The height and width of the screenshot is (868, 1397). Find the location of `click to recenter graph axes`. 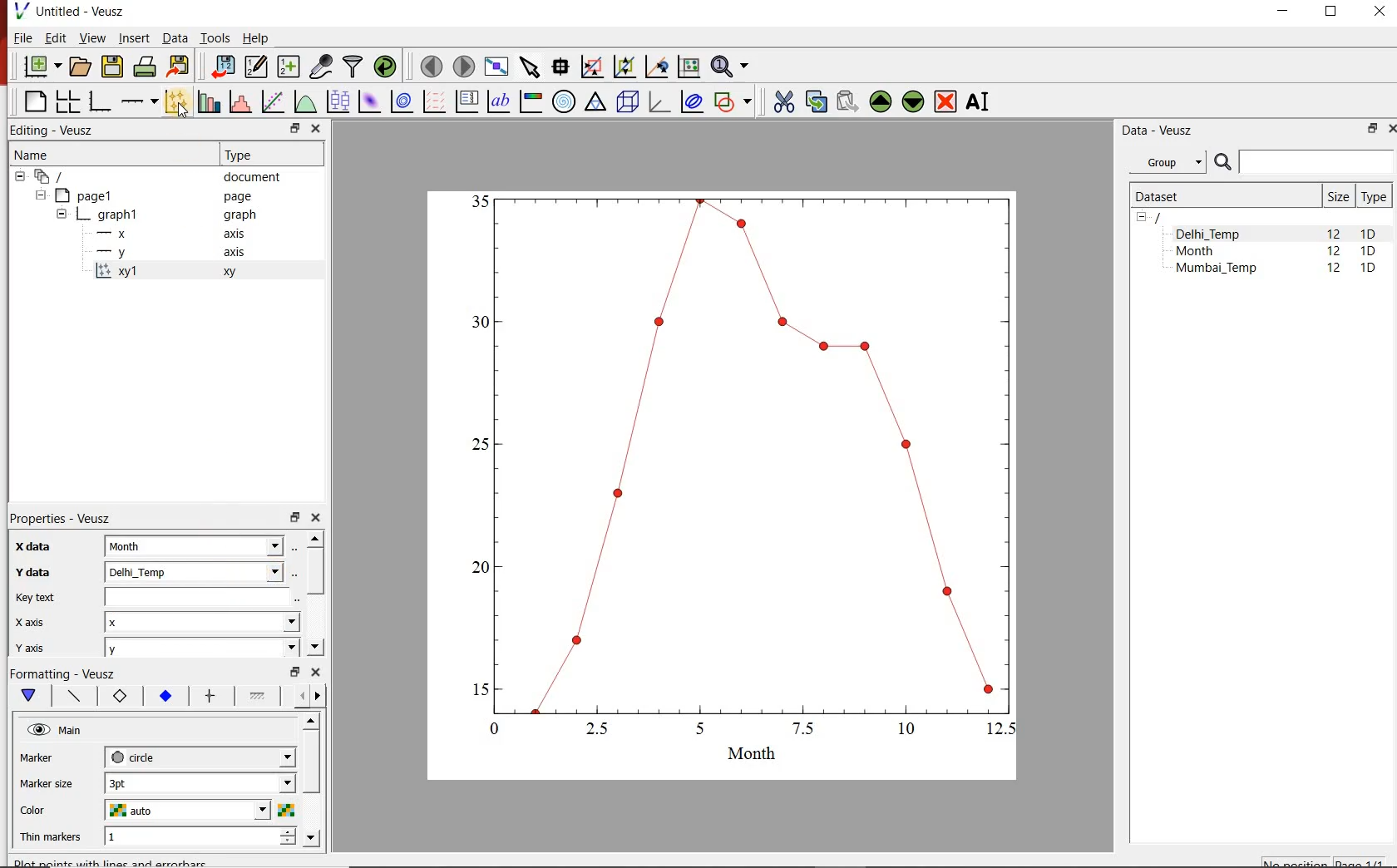

click to recenter graph axes is located at coordinates (656, 67).